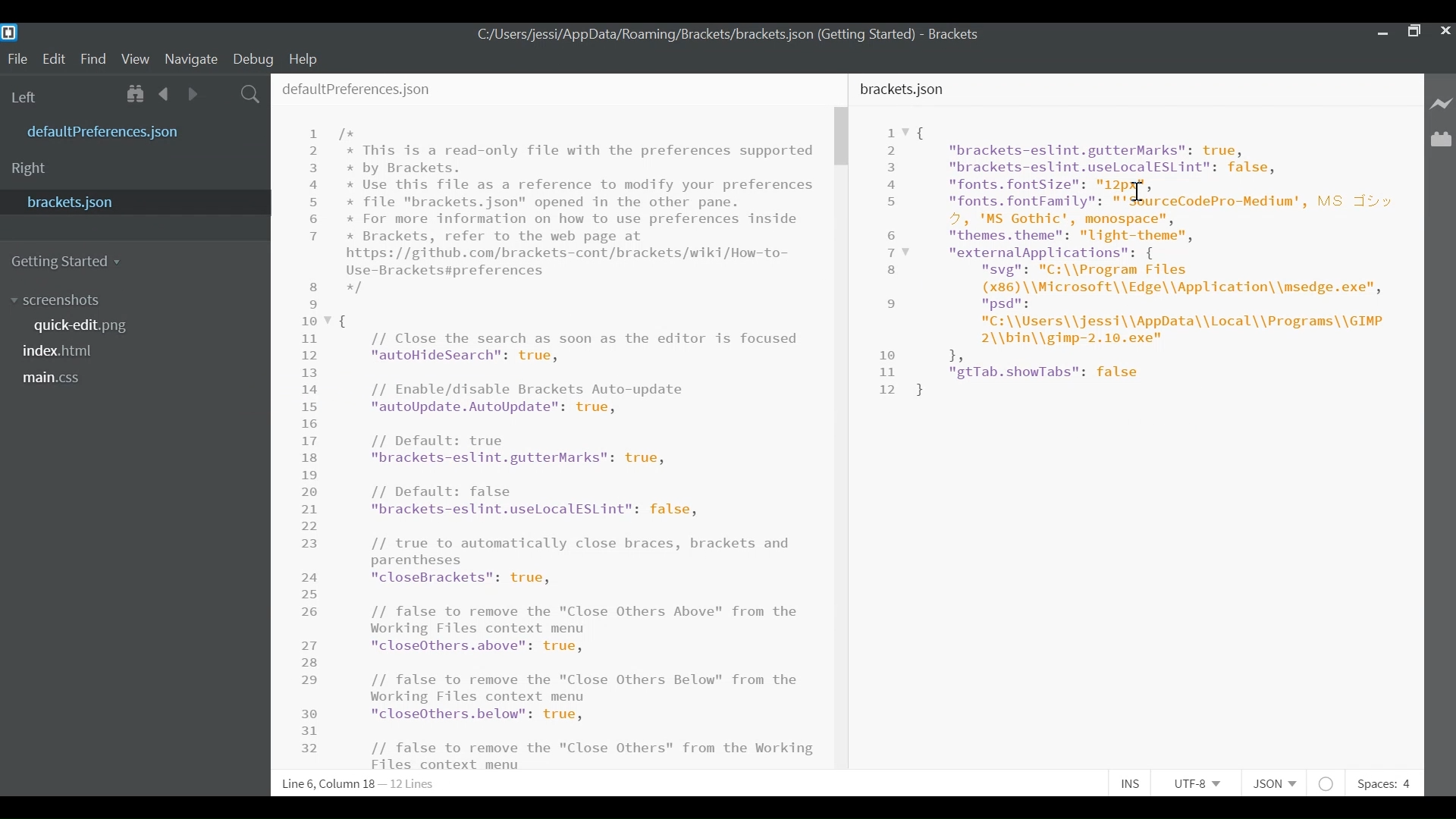  What do you see at coordinates (1138, 272) in the screenshot?
I see `1v{

2 "brackets-eslint.gutterMarks": true,

3 "brackets-eslint.uselocalESLint": false,

4 "fonts. fontSize": SER)

5 "fonts. fontFamily": "' rceCodePro-Medium', MS Jv

4, 'MS Gothic', monospace",

6 "themes.theme": "light-theme",

Tv "externalApplications": {

8 "svg": "C:\\Program Files
(x86) \\Microsoft\\Edge\\Application\\msedge.exe",

9 "psd":
"C:\\Users\\jessi\\AppData\\Local\\Programs\\GIMP
2\\bin\\gimp-2.10.exe"

10 1,

1 "gtTab.showTabs": false

12}` at bounding box center [1138, 272].